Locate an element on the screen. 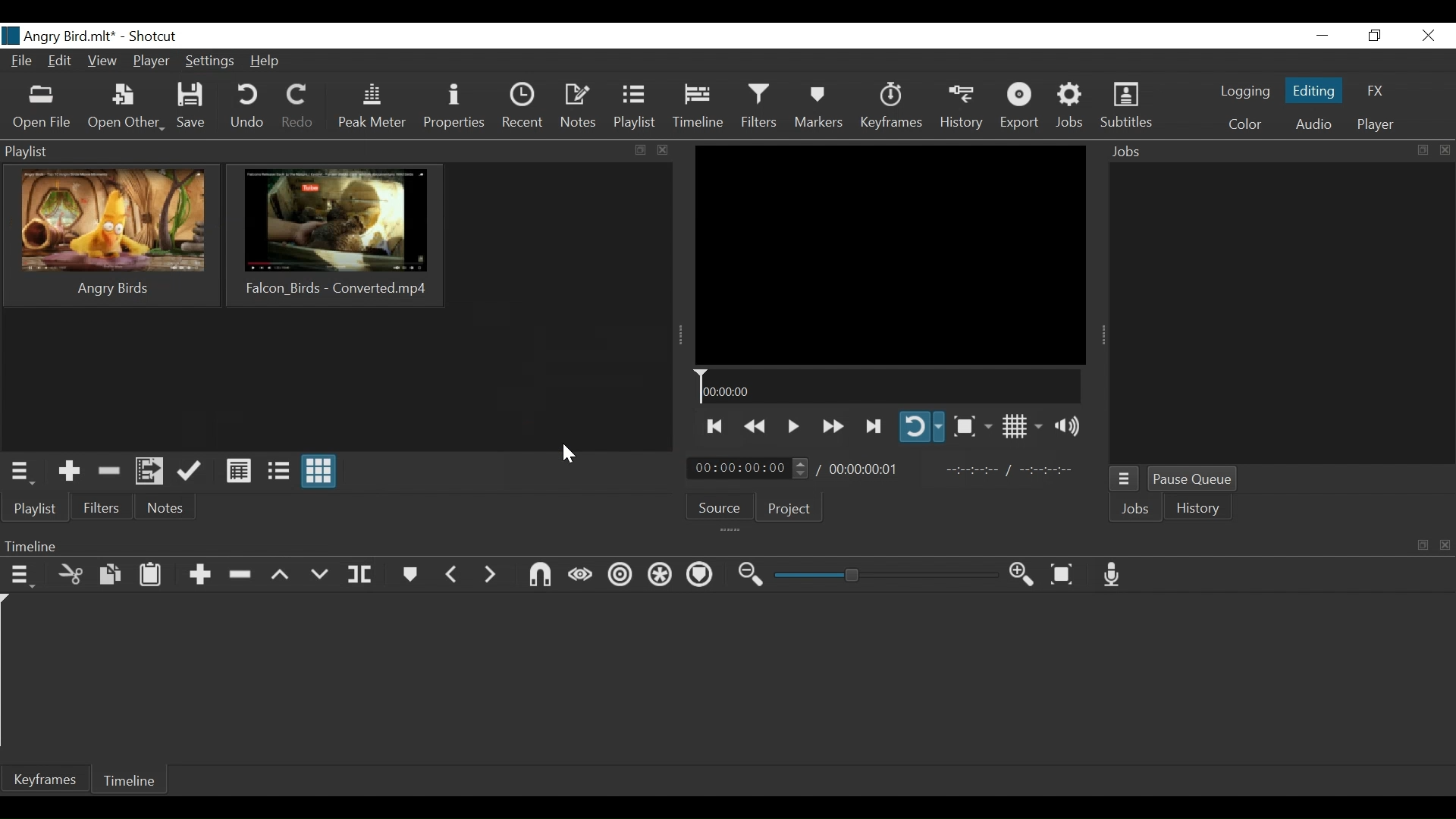 The image size is (1456, 819). Jobs Menu is located at coordinates (1125, 480).